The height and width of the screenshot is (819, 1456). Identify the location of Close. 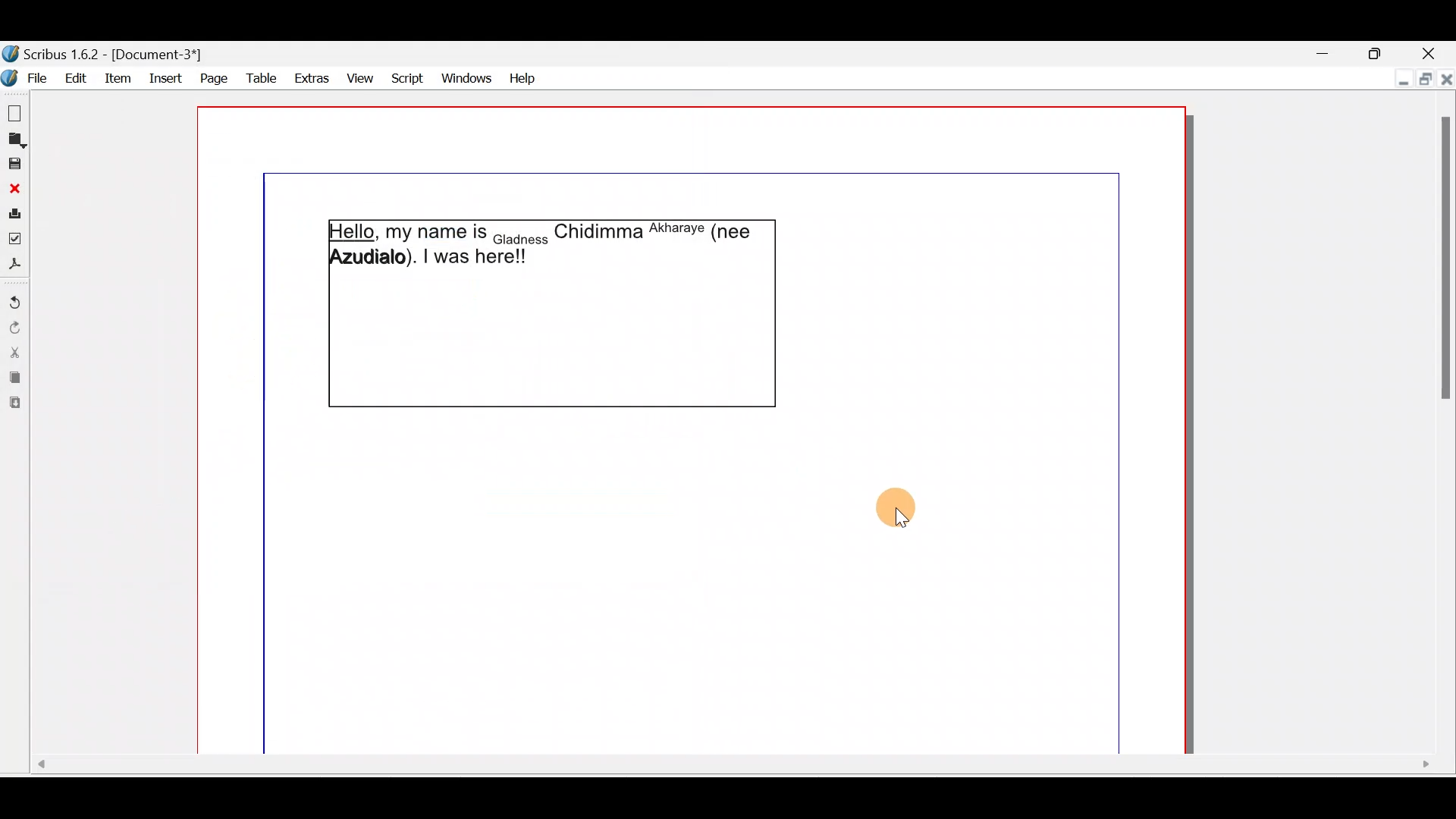
(12, 193).